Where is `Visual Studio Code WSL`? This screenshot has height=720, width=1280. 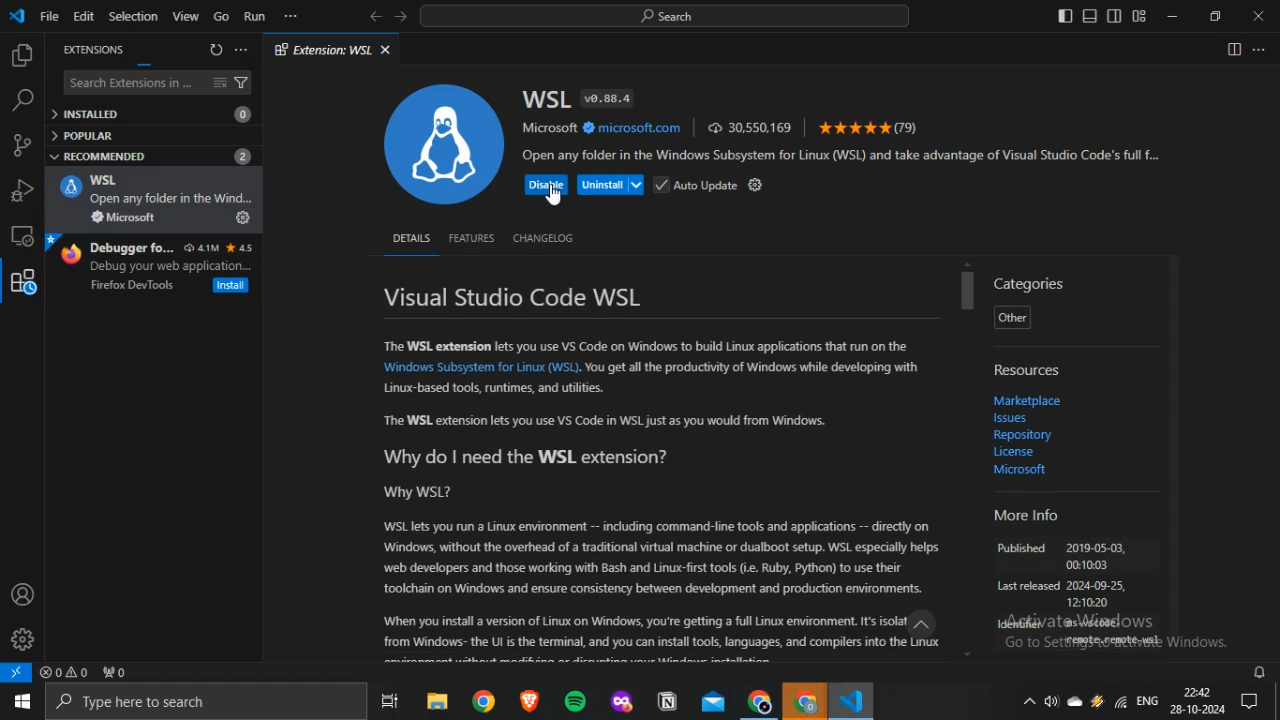
Visual Studio Code WSL is located at coordinates (514, 297).